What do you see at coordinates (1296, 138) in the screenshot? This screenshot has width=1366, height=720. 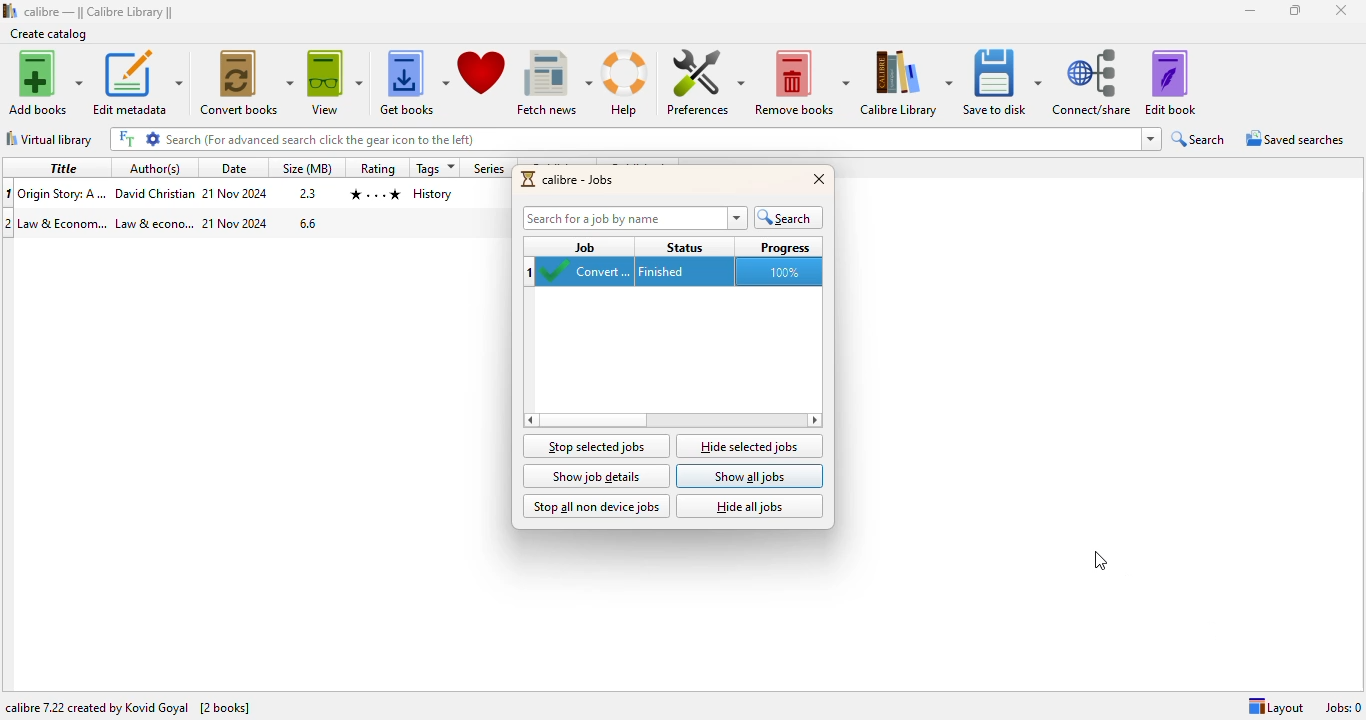 I see `saved searches` at bounding box center [1296, 138].